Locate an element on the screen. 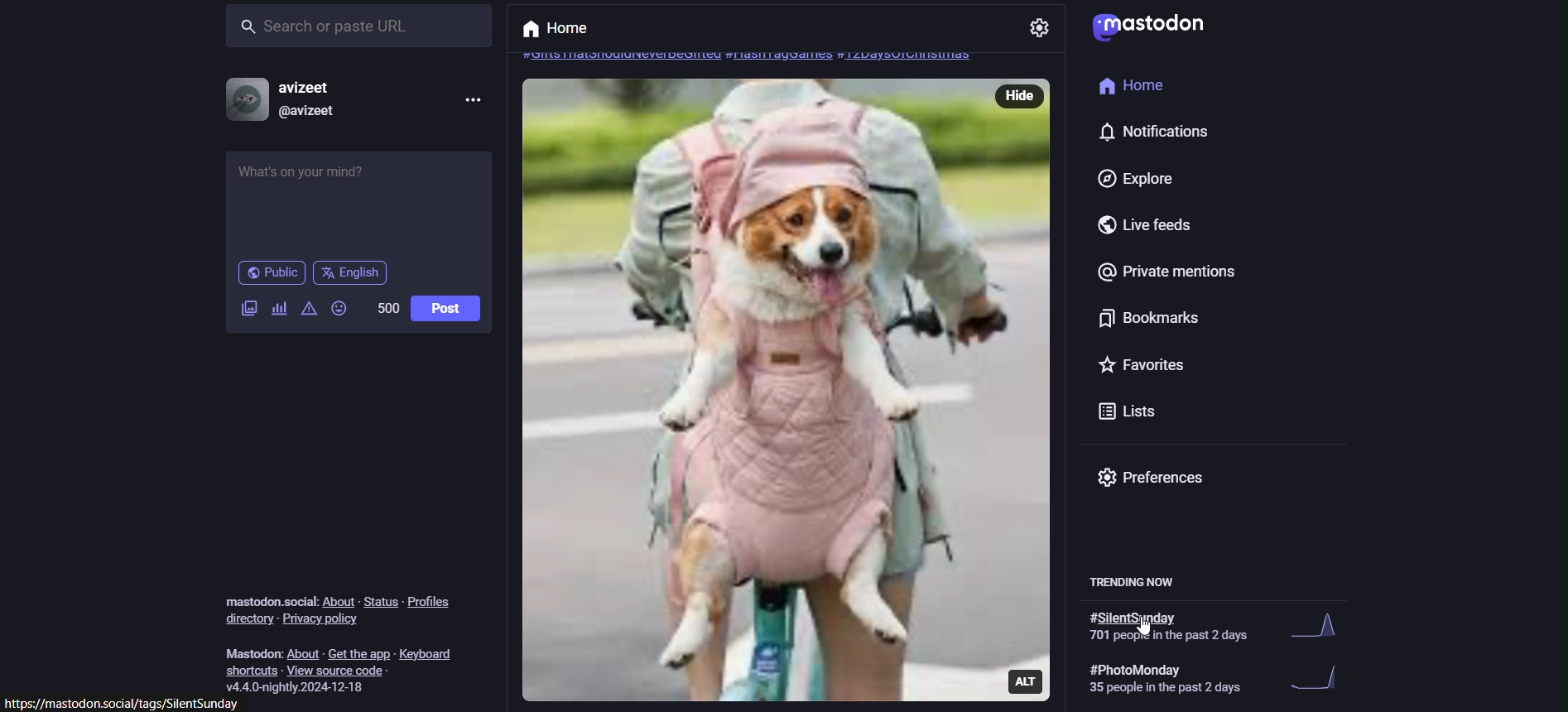 The width and height of the screenshot is (1568, 712). cursor is located at coordinates (1153, 633).